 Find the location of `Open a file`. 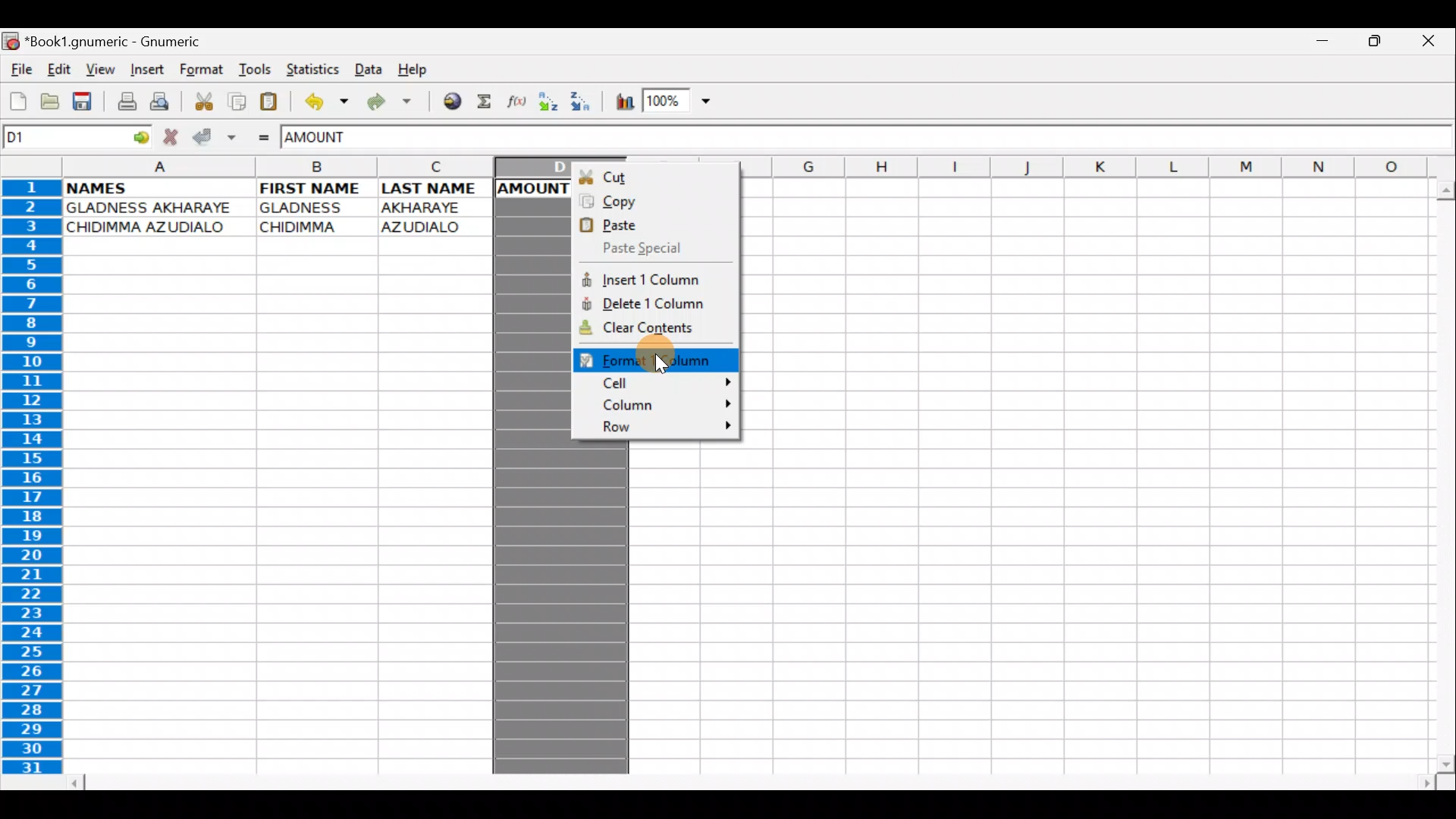

Open a file is located at coordinates (46, 104).